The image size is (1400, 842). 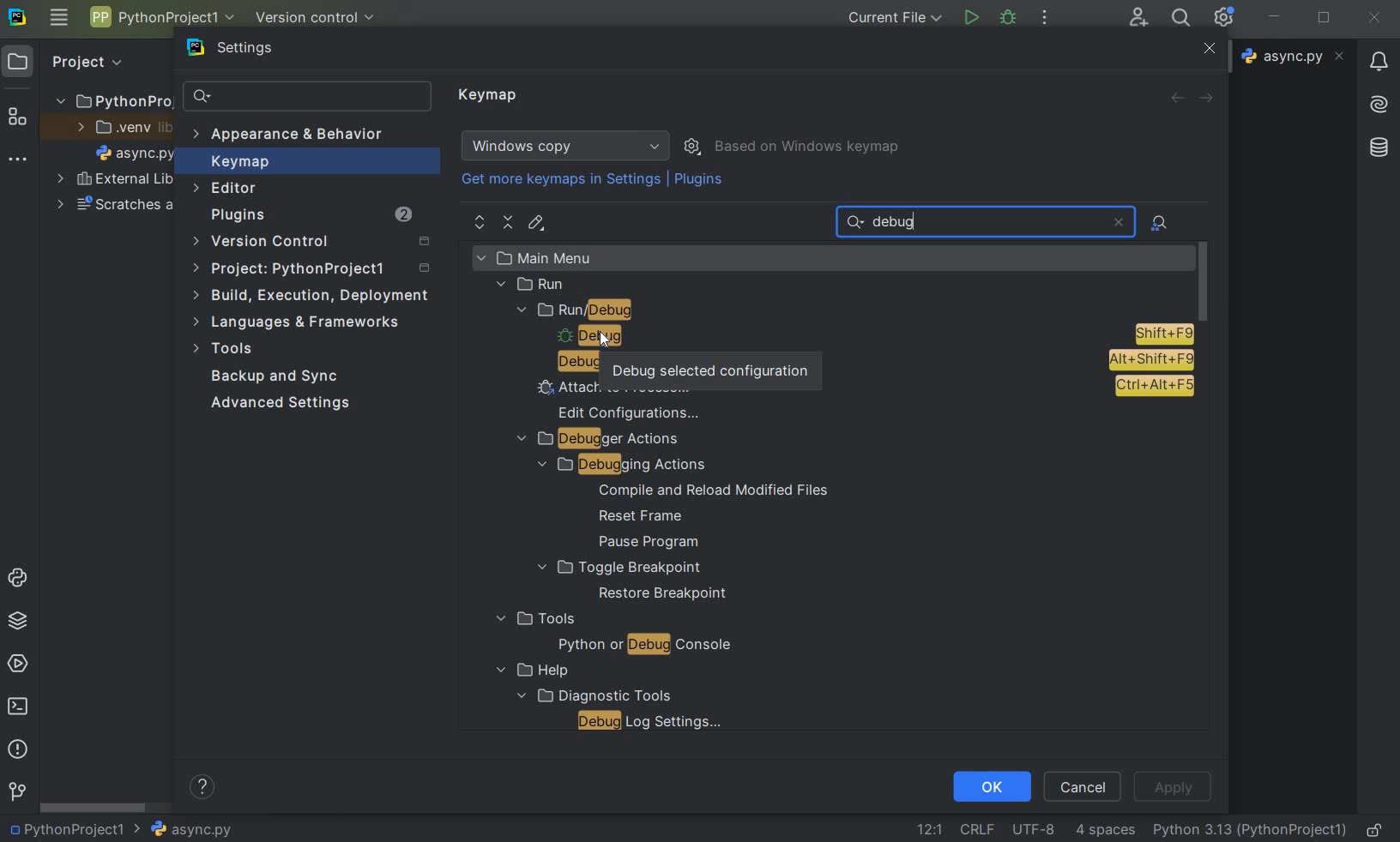 What do you see at coordinates (643, 543) in the screenshot?
I see `pause program` at bounding box center [643, 543].